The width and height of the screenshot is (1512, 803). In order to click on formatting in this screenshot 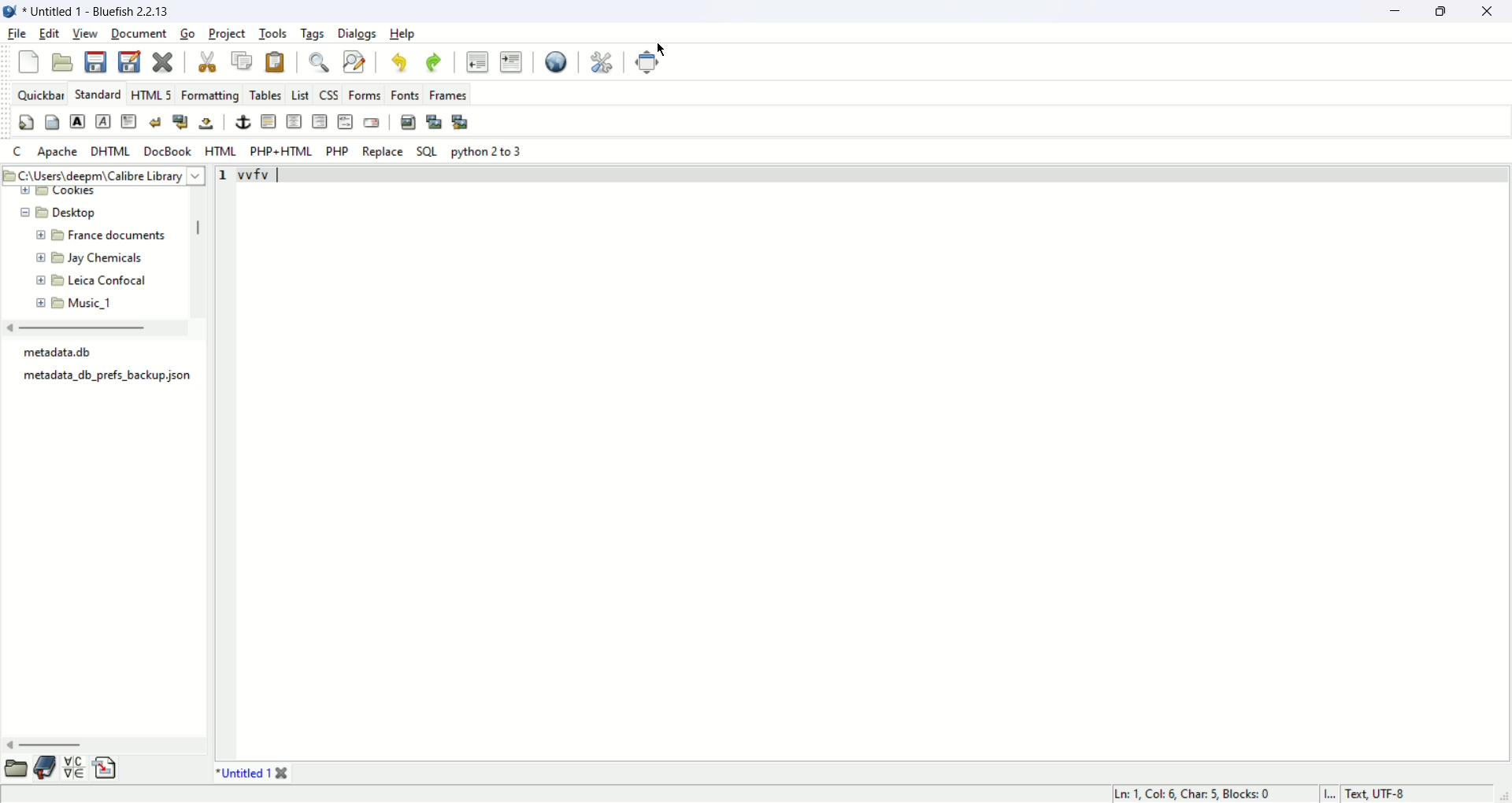, I will do `click(210, 93)`.